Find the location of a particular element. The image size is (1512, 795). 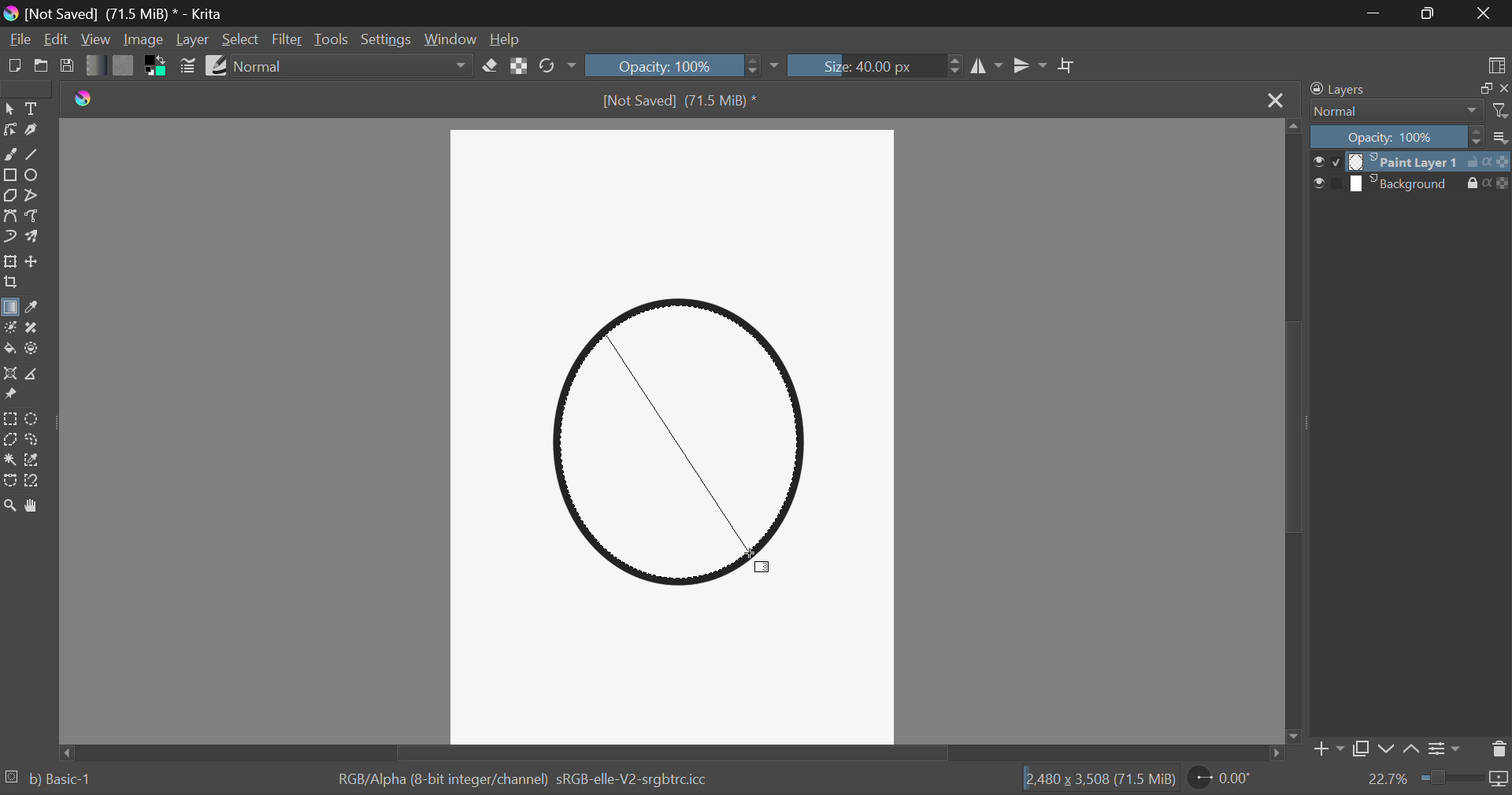

View is located at coordinates (95, 40).